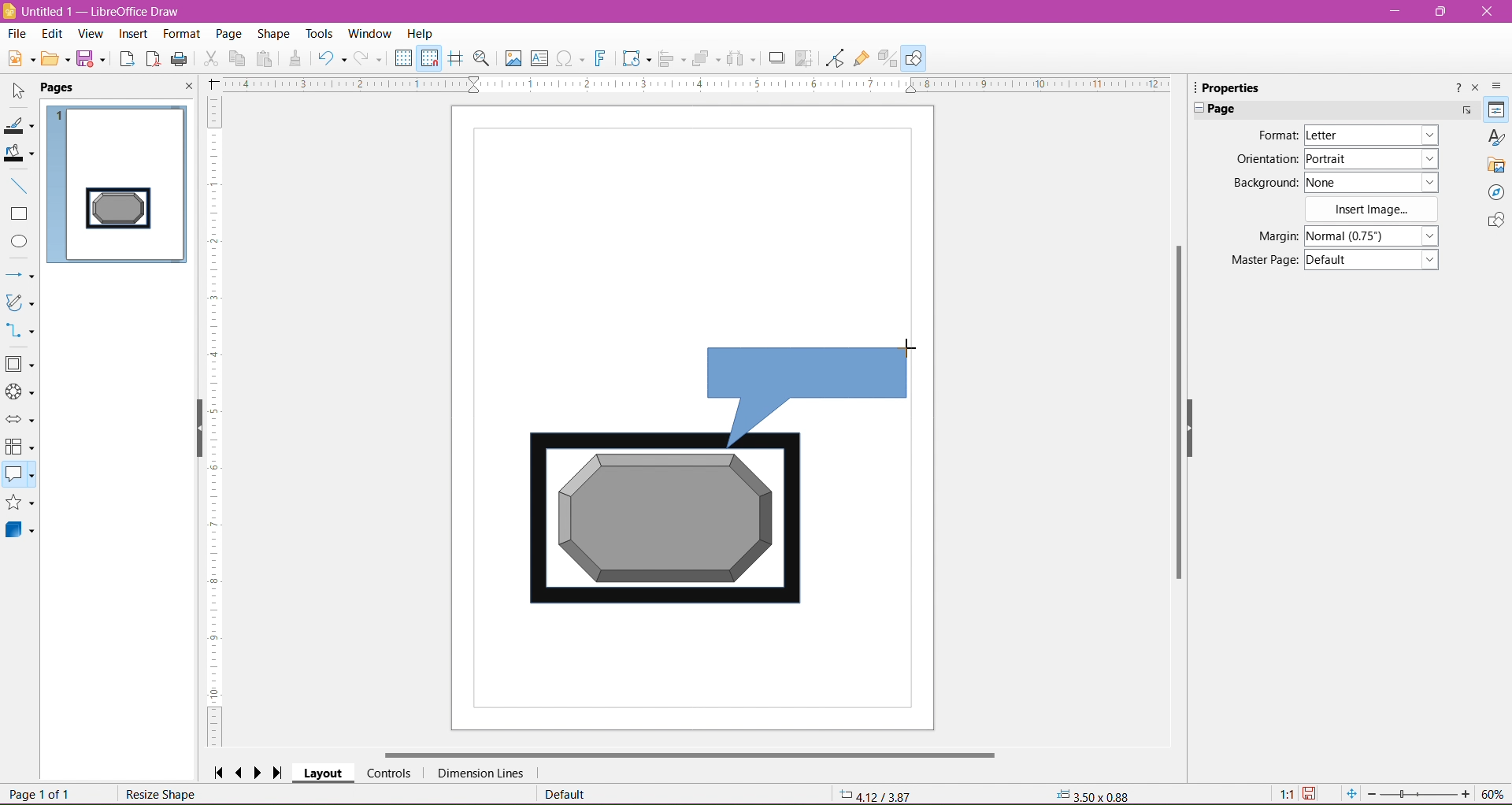 This screenshot has height=805, width=1512. What do you see at coordinates (295, 60) in the screenshot?
I see `Cone formatting` at bounding box center [295, 60].